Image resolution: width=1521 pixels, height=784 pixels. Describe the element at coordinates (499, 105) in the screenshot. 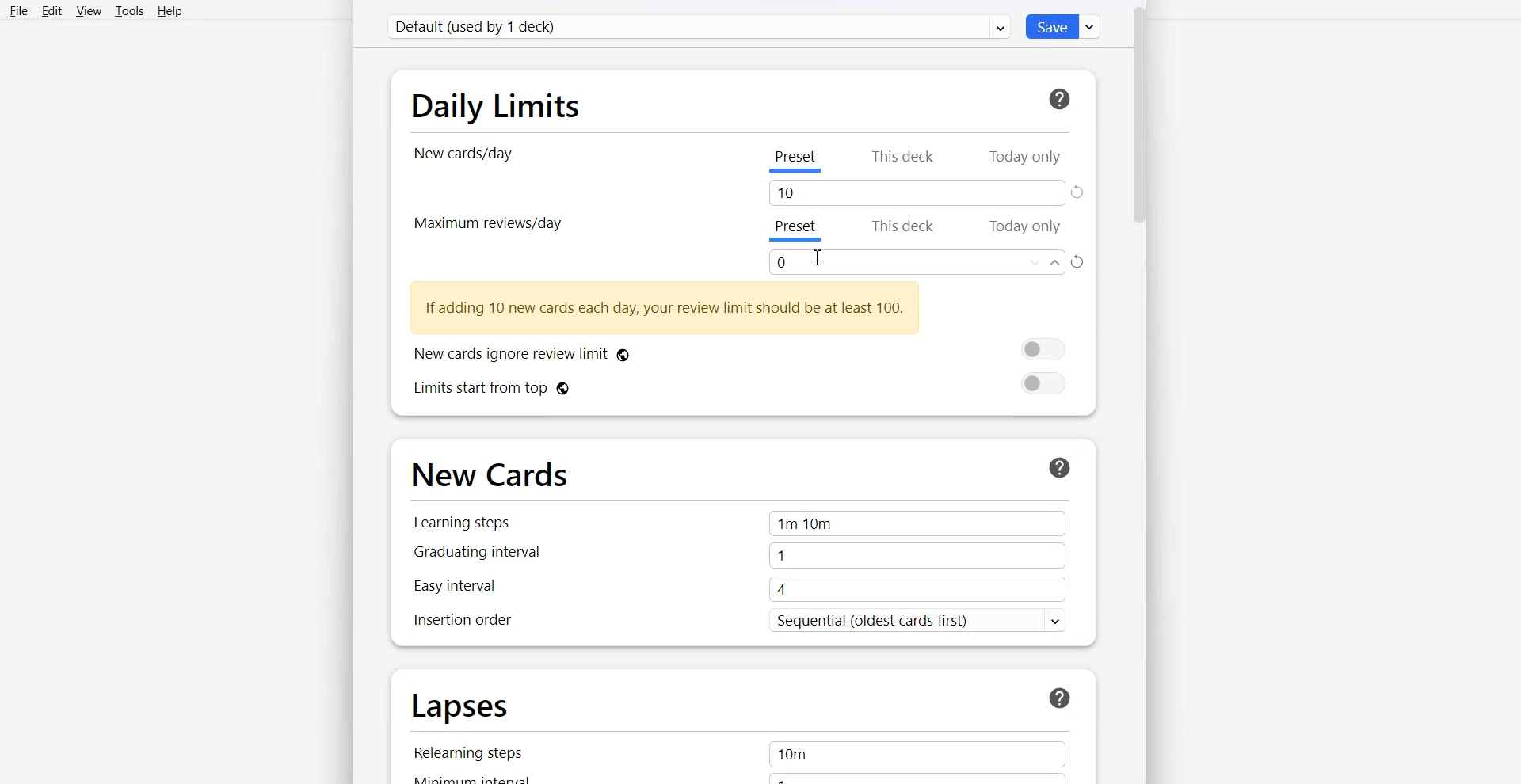

I see `Daily Limits` at that location.